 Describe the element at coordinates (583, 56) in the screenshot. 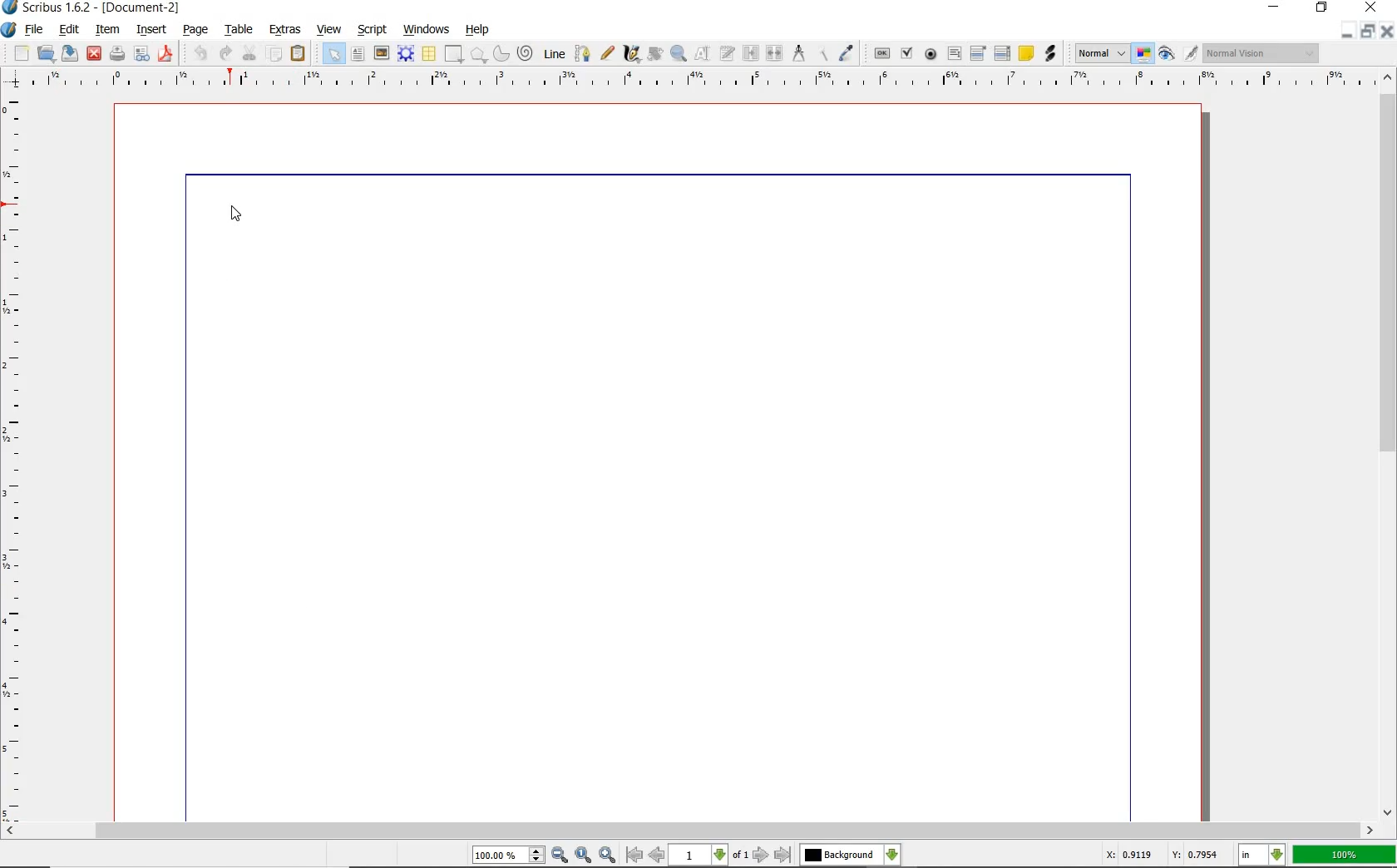

I see `bezier curve` at that location.